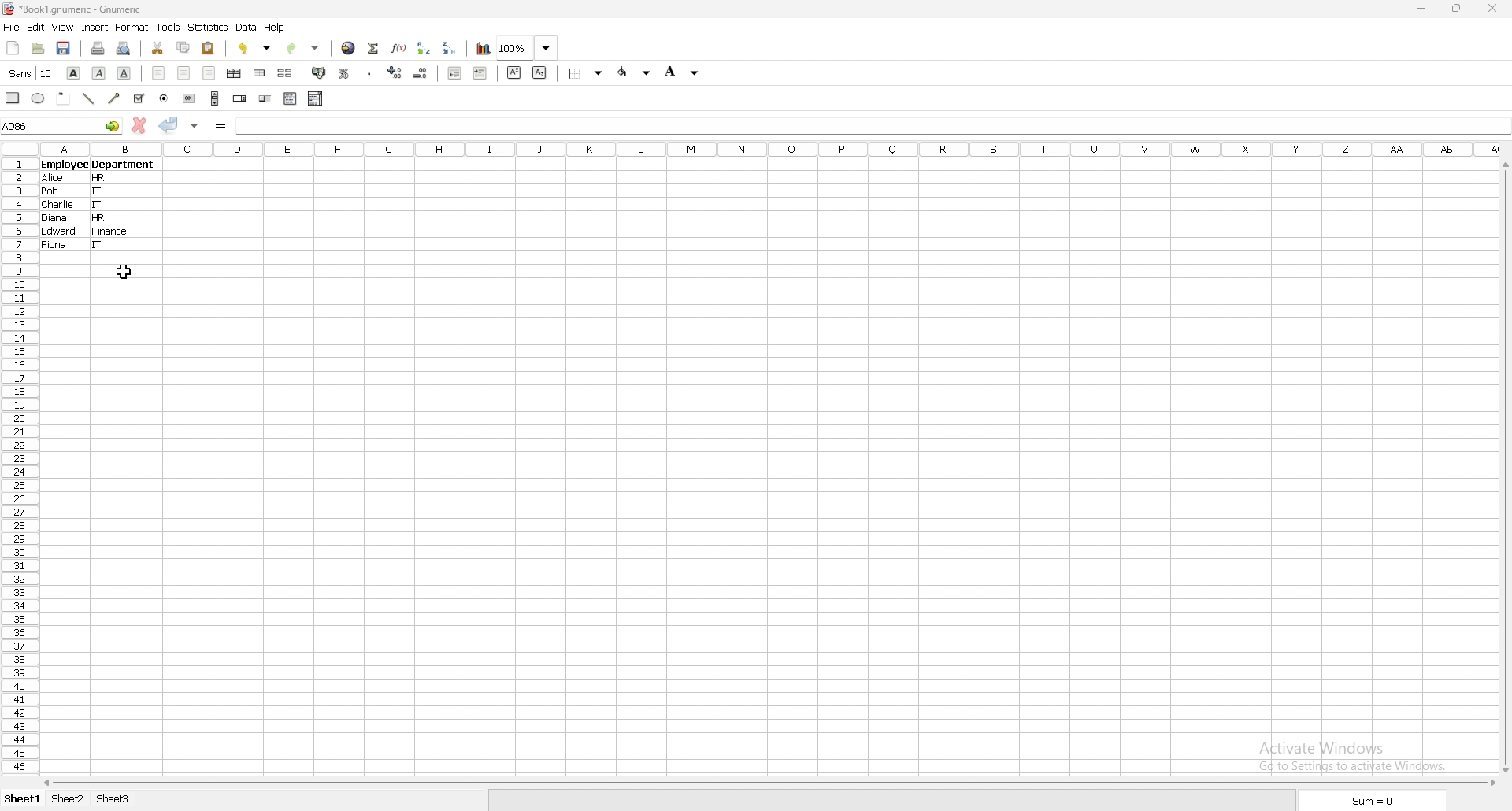 This screenshot has height=811, width=1512. Describe the element at coordinates (56, 220) in the screenshot. I see `diana` at that location.